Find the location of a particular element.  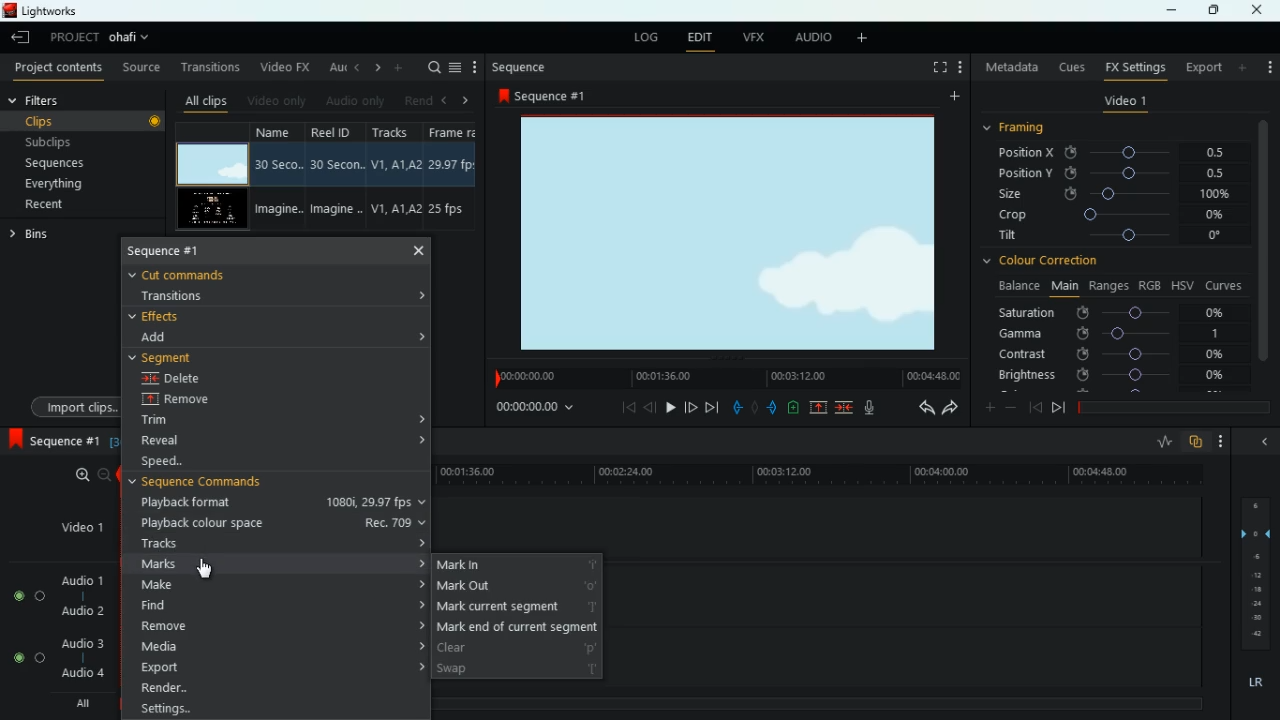

delete is located at coordinates (172, 380).